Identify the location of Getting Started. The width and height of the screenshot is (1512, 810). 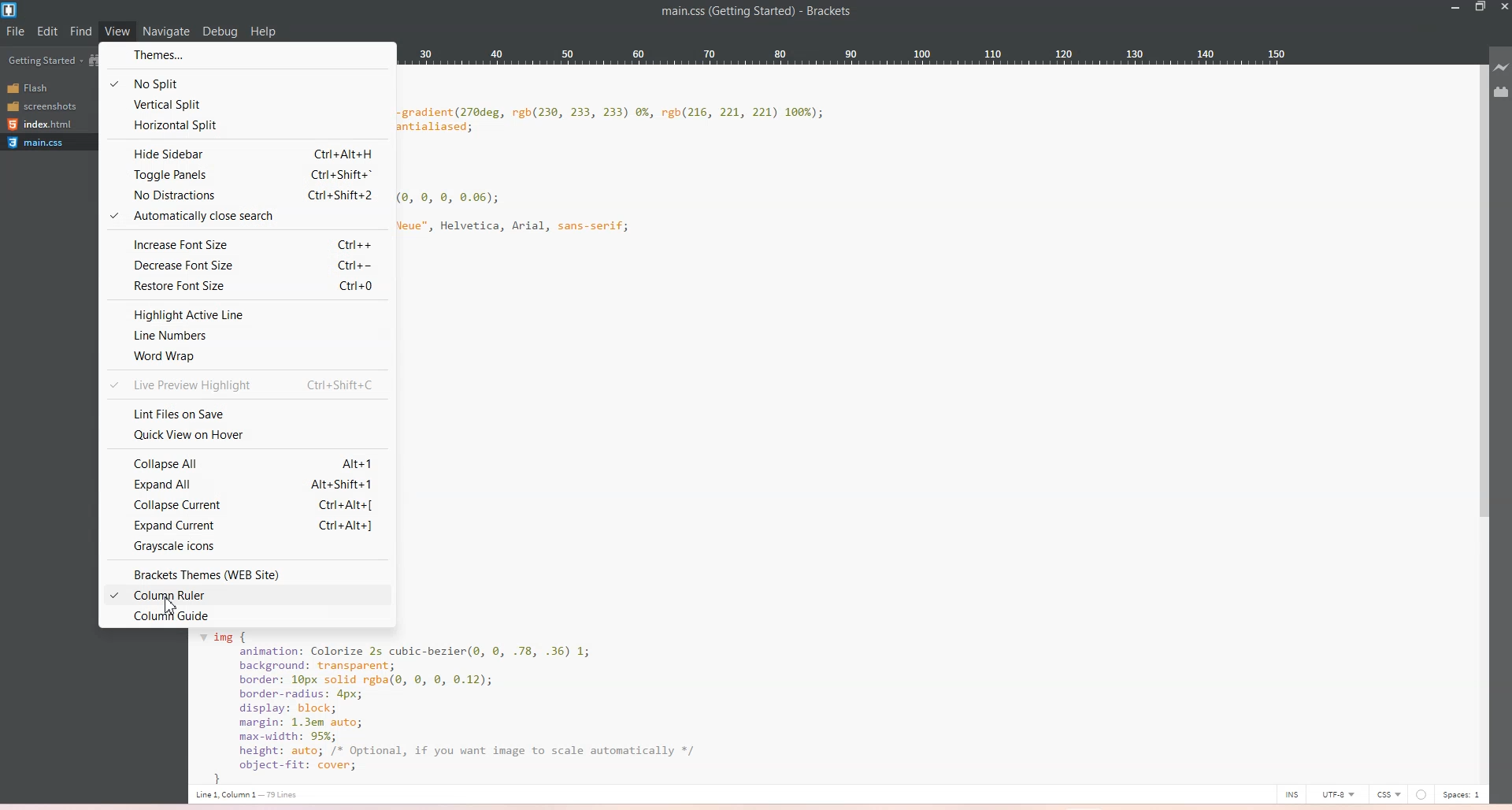
(44, 60).